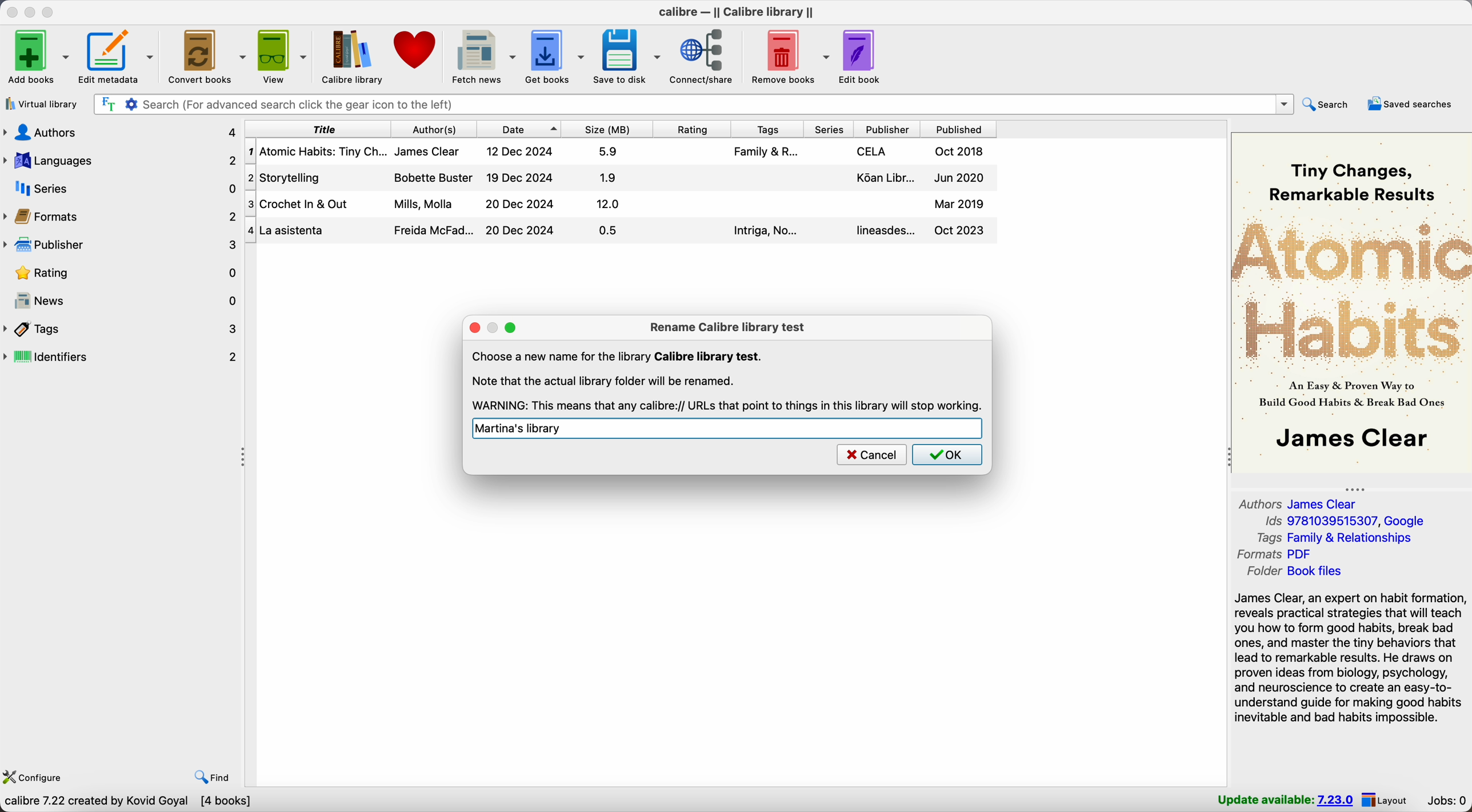 The height and width of the screenshot is (812, 1472). What do you see at coordinates (211, 777) in the screenshot?
I see `find` at bounding box center [211, 777].